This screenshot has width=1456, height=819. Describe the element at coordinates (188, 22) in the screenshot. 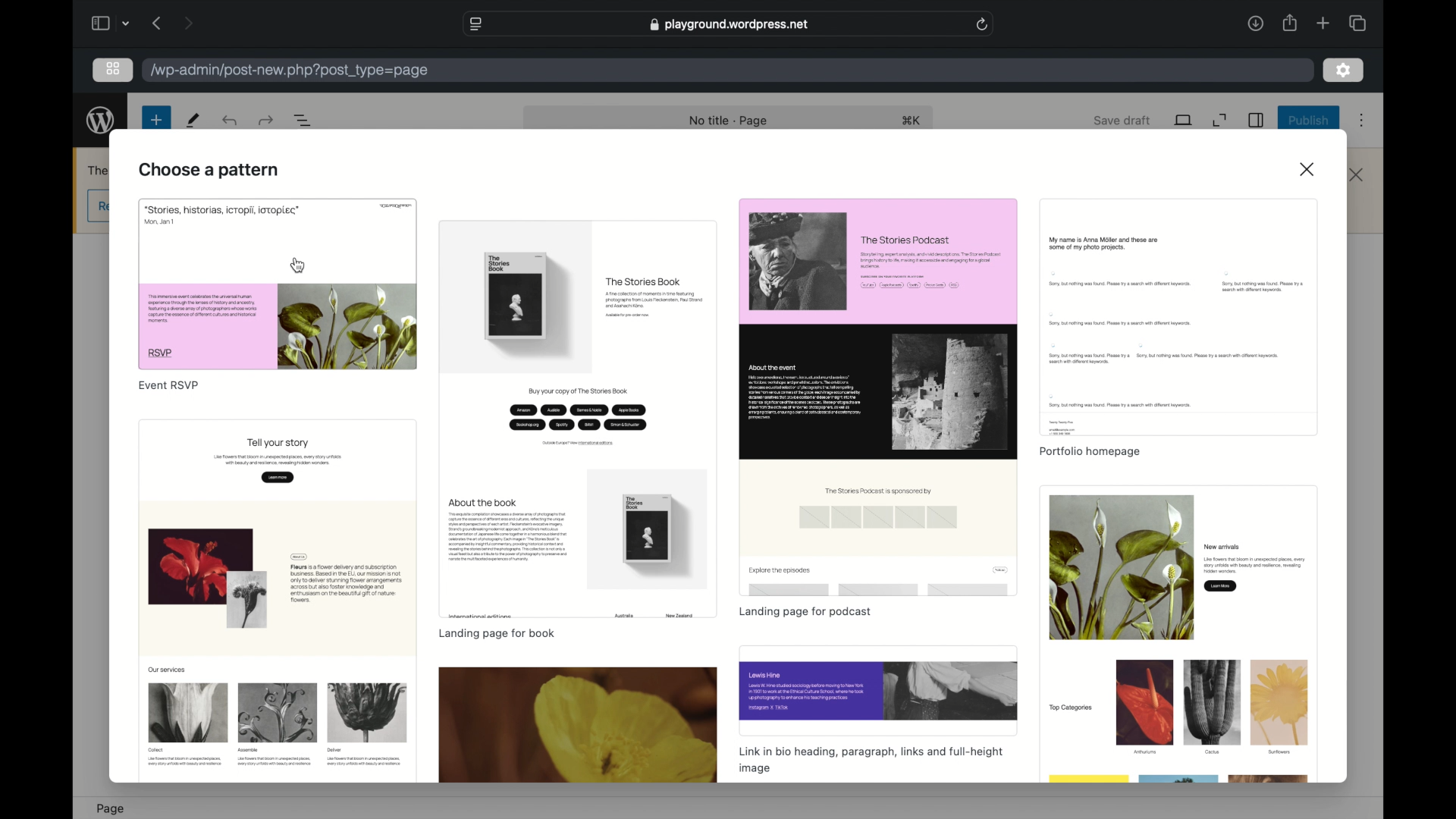

I see `next page` at that location.